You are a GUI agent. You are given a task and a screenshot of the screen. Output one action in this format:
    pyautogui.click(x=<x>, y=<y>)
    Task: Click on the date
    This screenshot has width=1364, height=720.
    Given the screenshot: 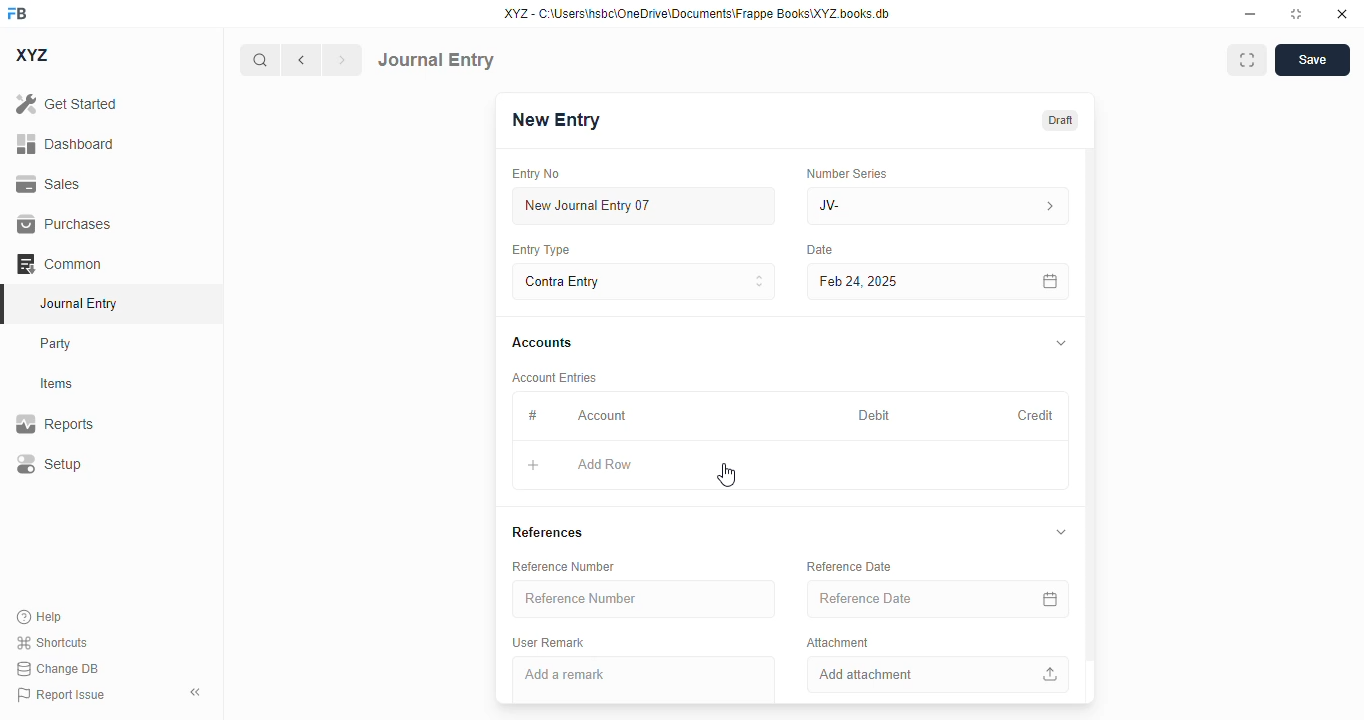 What is the action you would take?
    pyautogui.click(x=820, y=250)
    